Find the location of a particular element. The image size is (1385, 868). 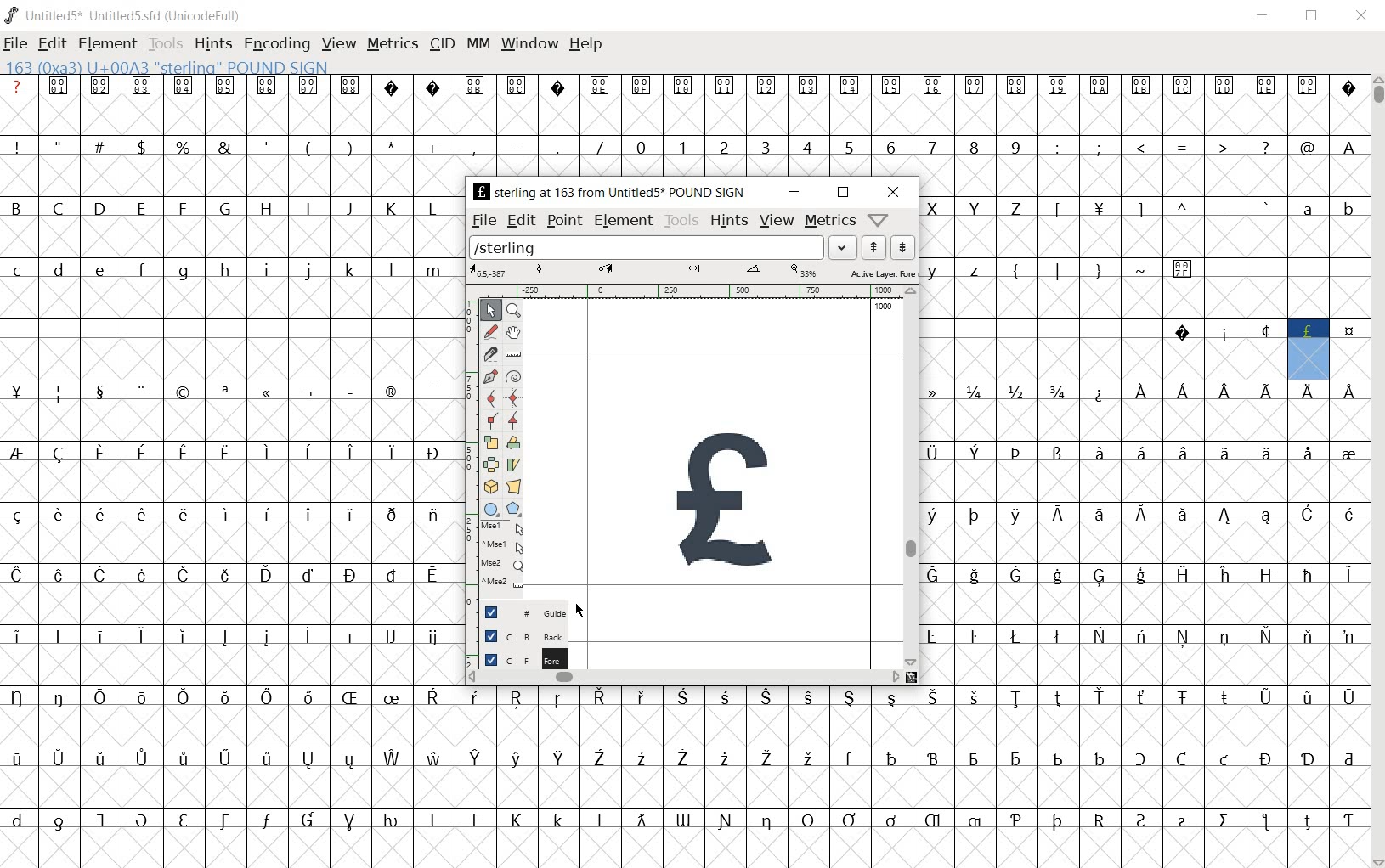

file is located at coordinates (18, 43).